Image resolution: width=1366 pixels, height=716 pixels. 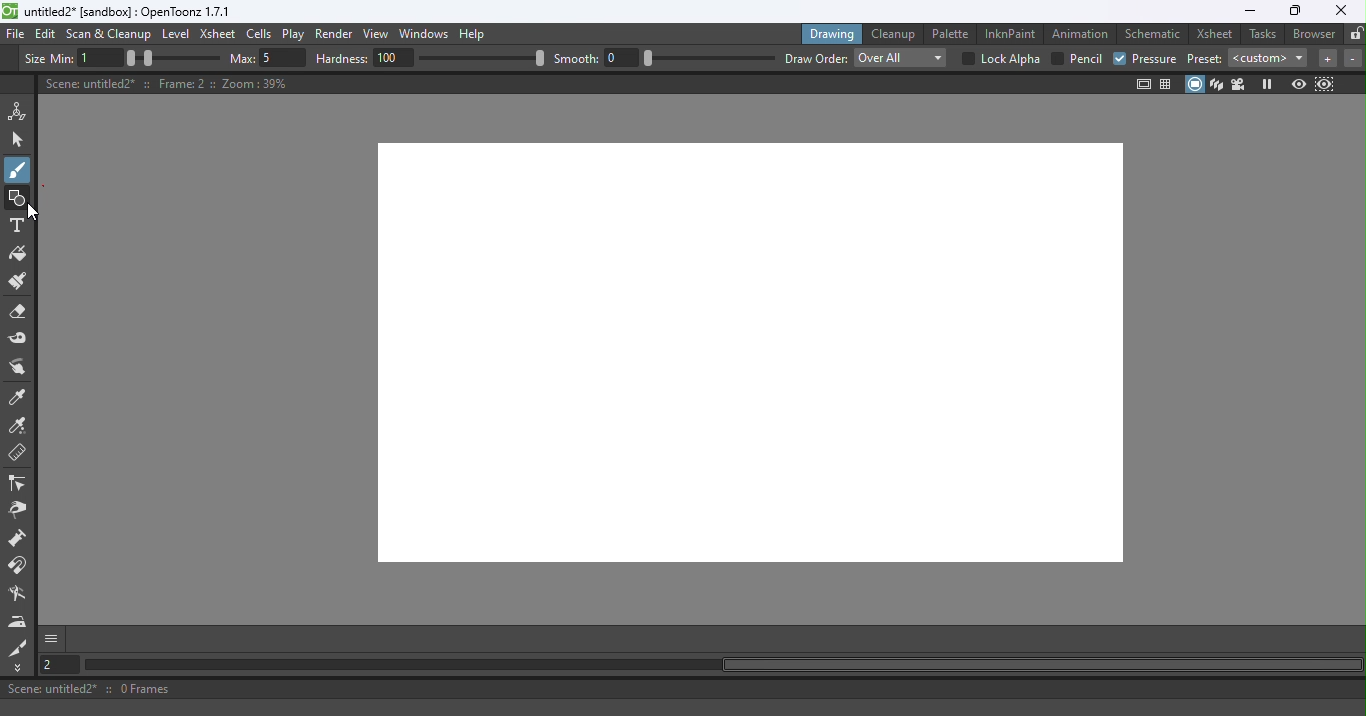 What do you see at coordinates (1218, 84) in the screenshot?
I see `3D View` at bounding box center [1218, 84].